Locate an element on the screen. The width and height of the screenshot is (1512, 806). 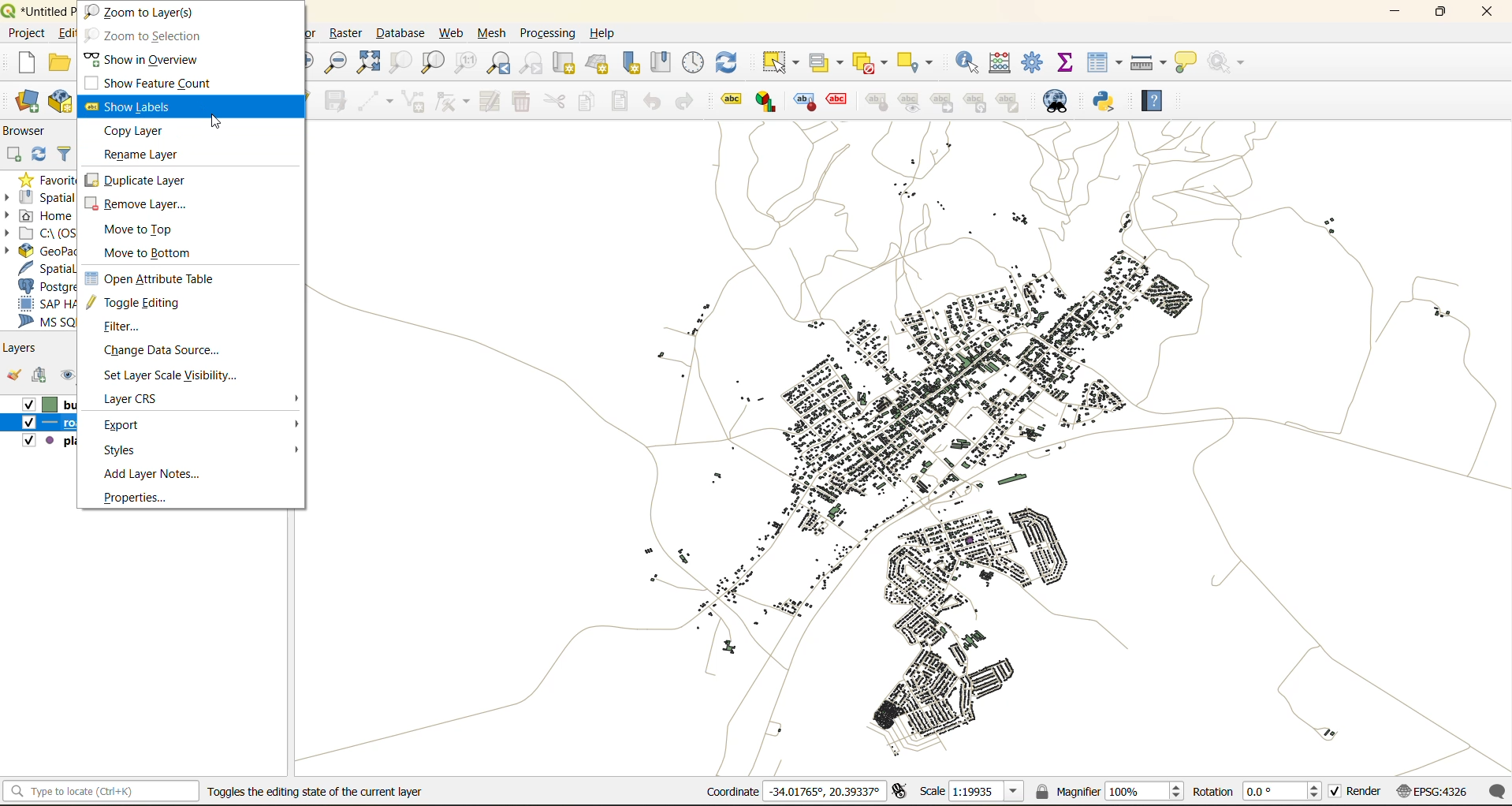
identify features is located at coordinates (966, 64).